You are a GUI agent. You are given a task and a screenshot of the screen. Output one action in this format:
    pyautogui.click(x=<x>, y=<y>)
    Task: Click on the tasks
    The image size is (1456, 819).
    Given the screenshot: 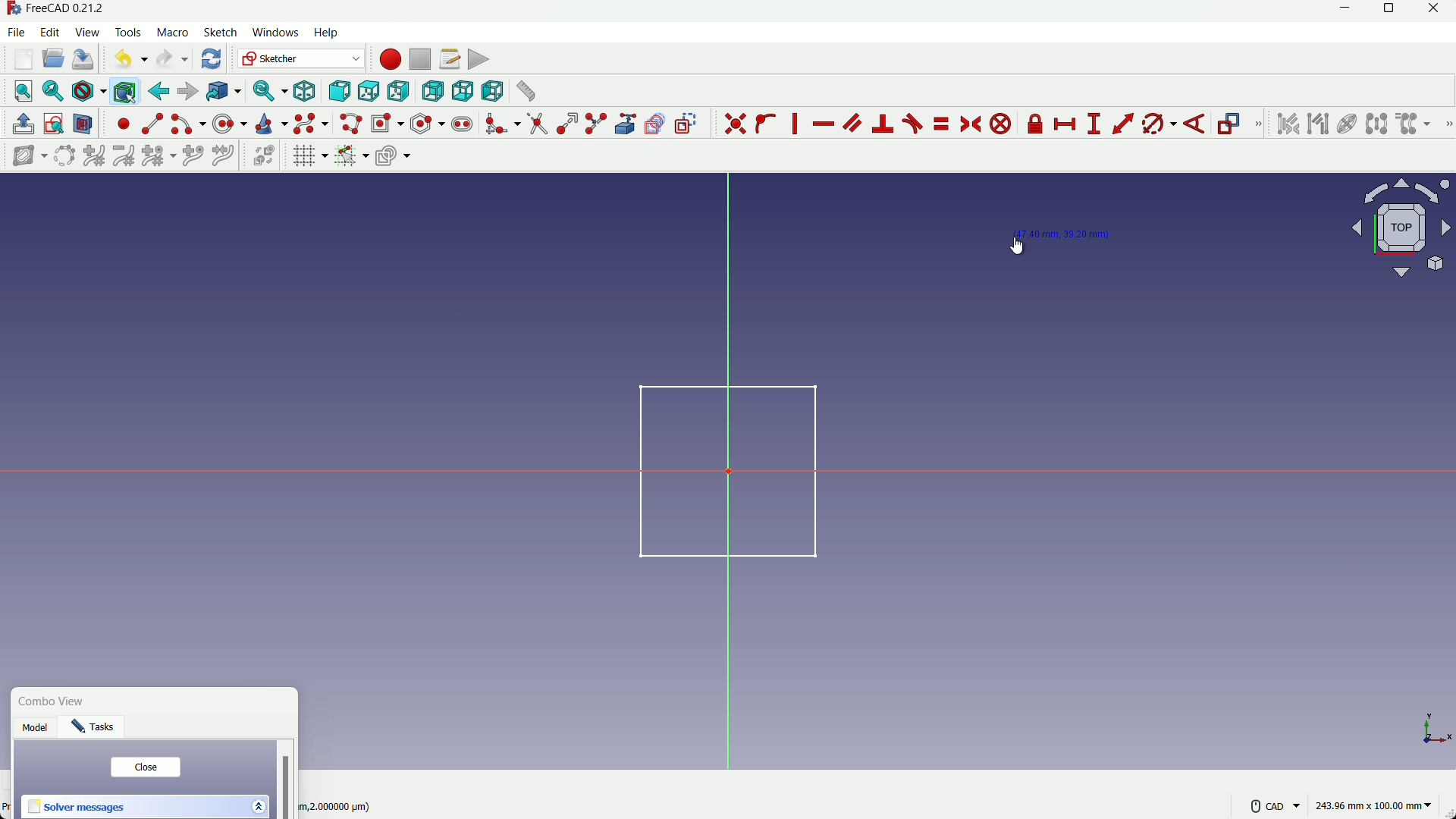 What is the action you would take?
    pyautogui.click(x=97, y=730)
    